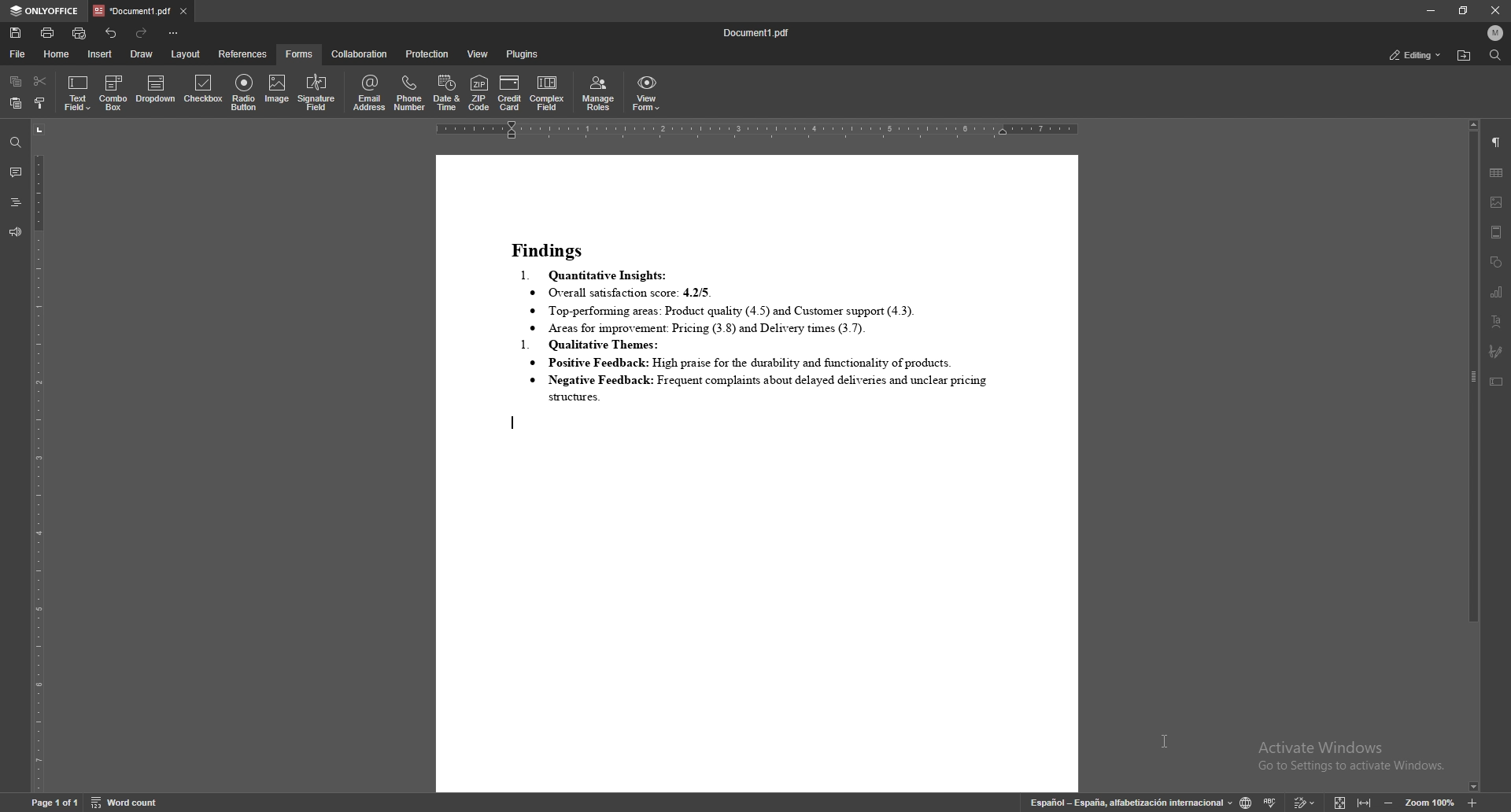 The width and height of the screenshot is (1511, 812). What do you see at coordinates (1497, 321) in the screenshot?
I see `text art` at bounding box center [1497, 321].